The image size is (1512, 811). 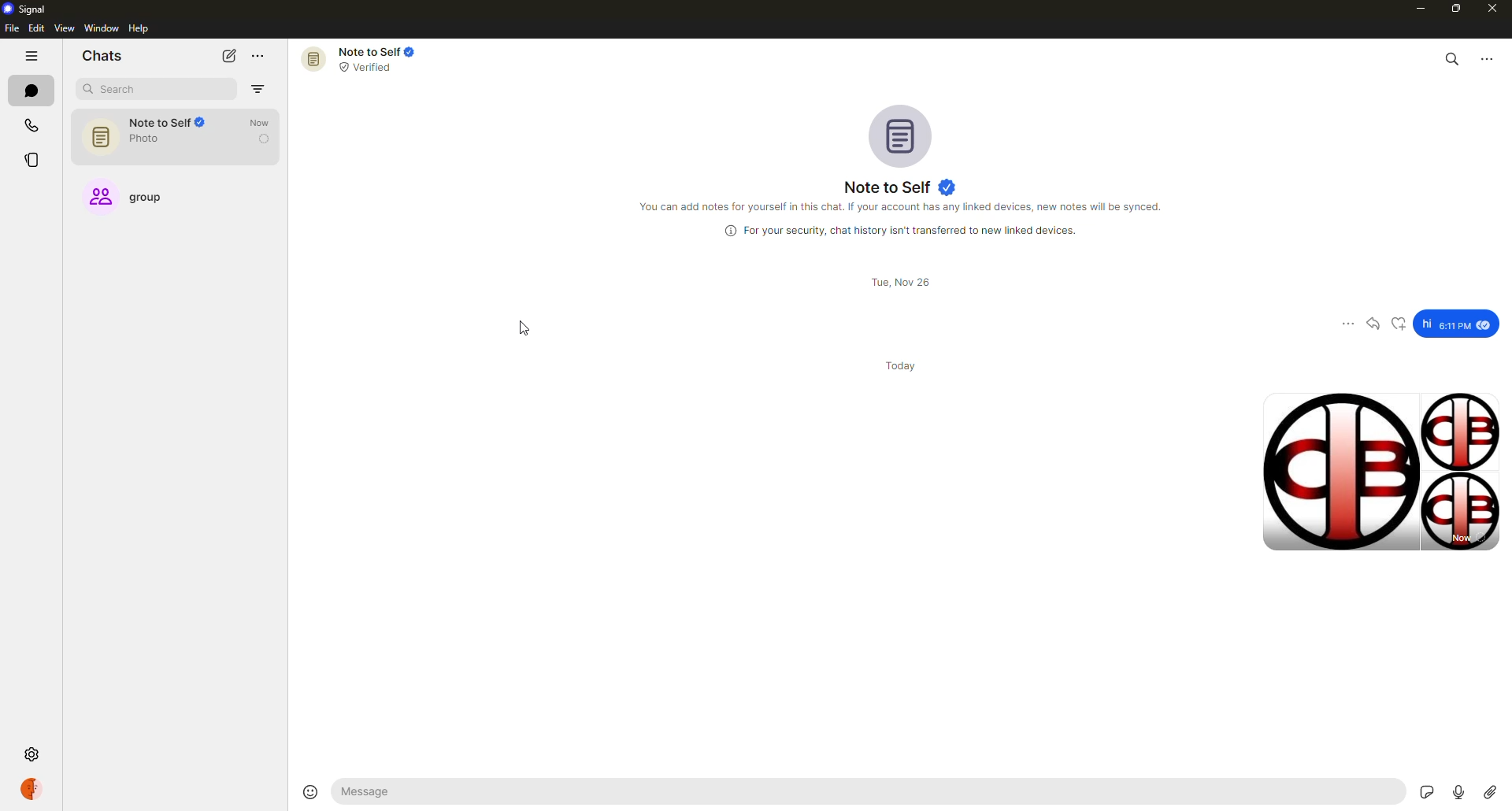 What do you see at coordinates (65, 29) in the screenshot?
I see `view` at bounding box center [65, 29].